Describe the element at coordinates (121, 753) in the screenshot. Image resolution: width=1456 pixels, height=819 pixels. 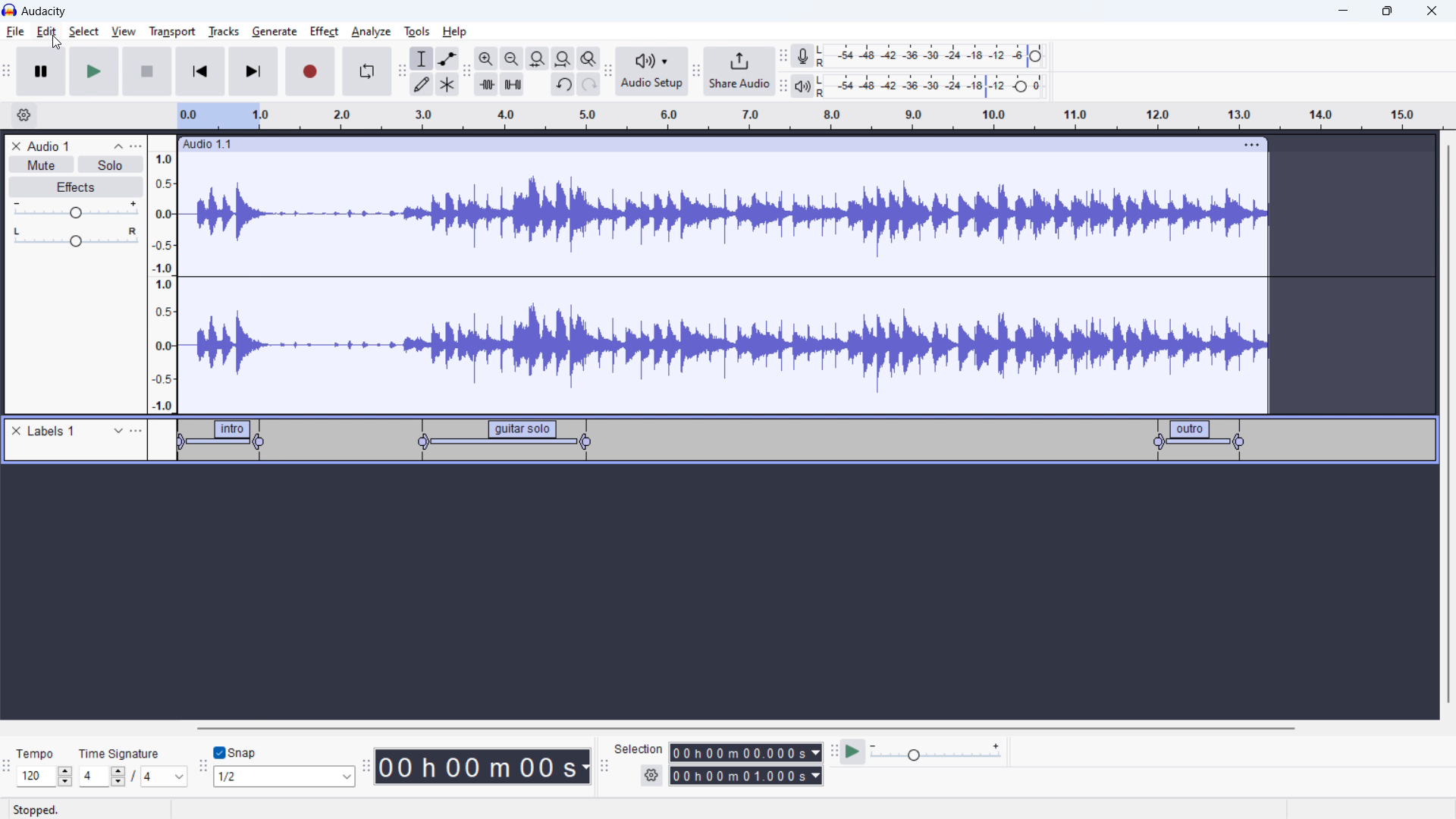
I see `time signature` at that location.